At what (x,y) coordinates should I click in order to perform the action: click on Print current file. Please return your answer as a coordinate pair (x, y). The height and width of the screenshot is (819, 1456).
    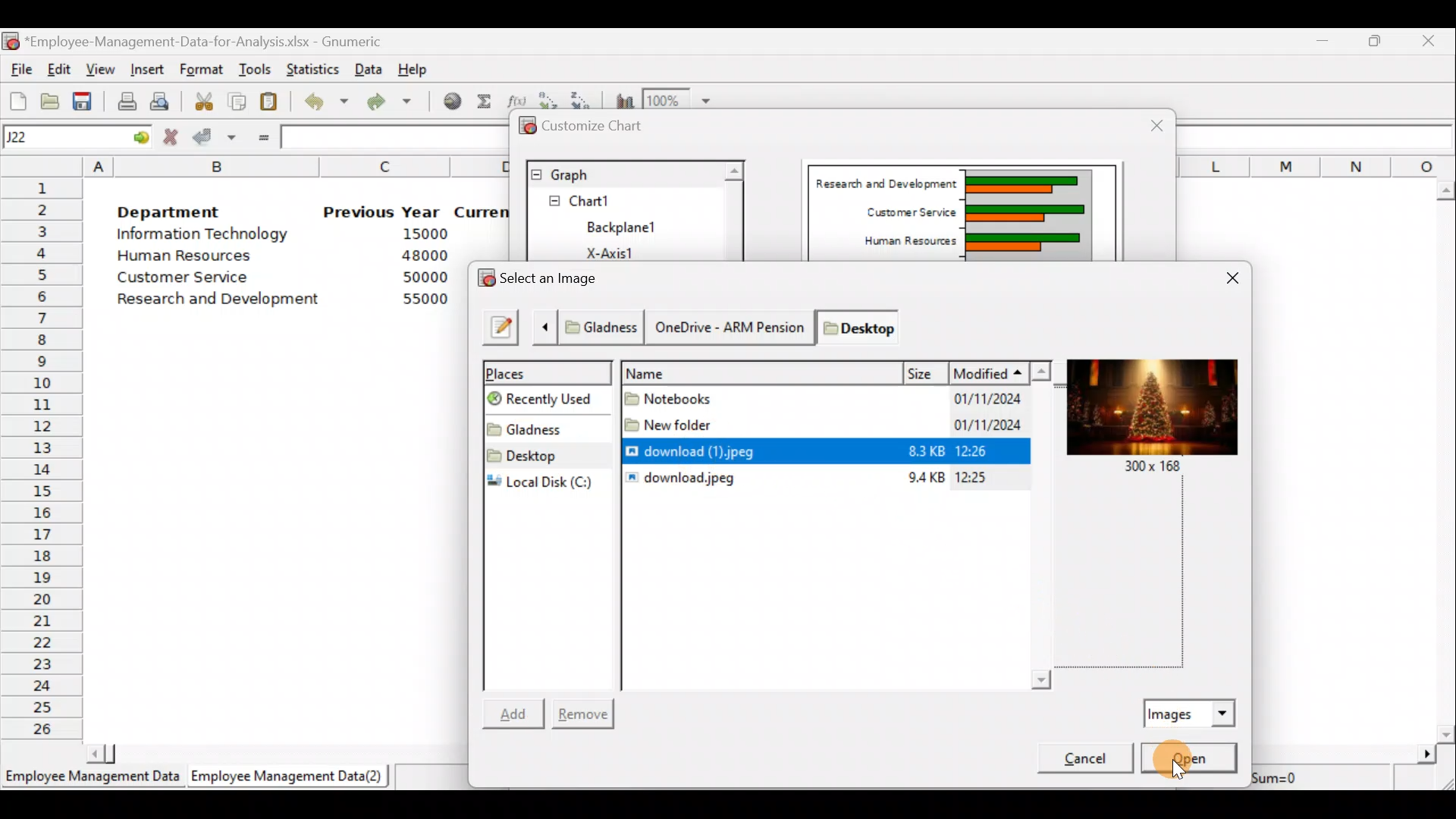
    Looking at the image, I should click on (124, 99).